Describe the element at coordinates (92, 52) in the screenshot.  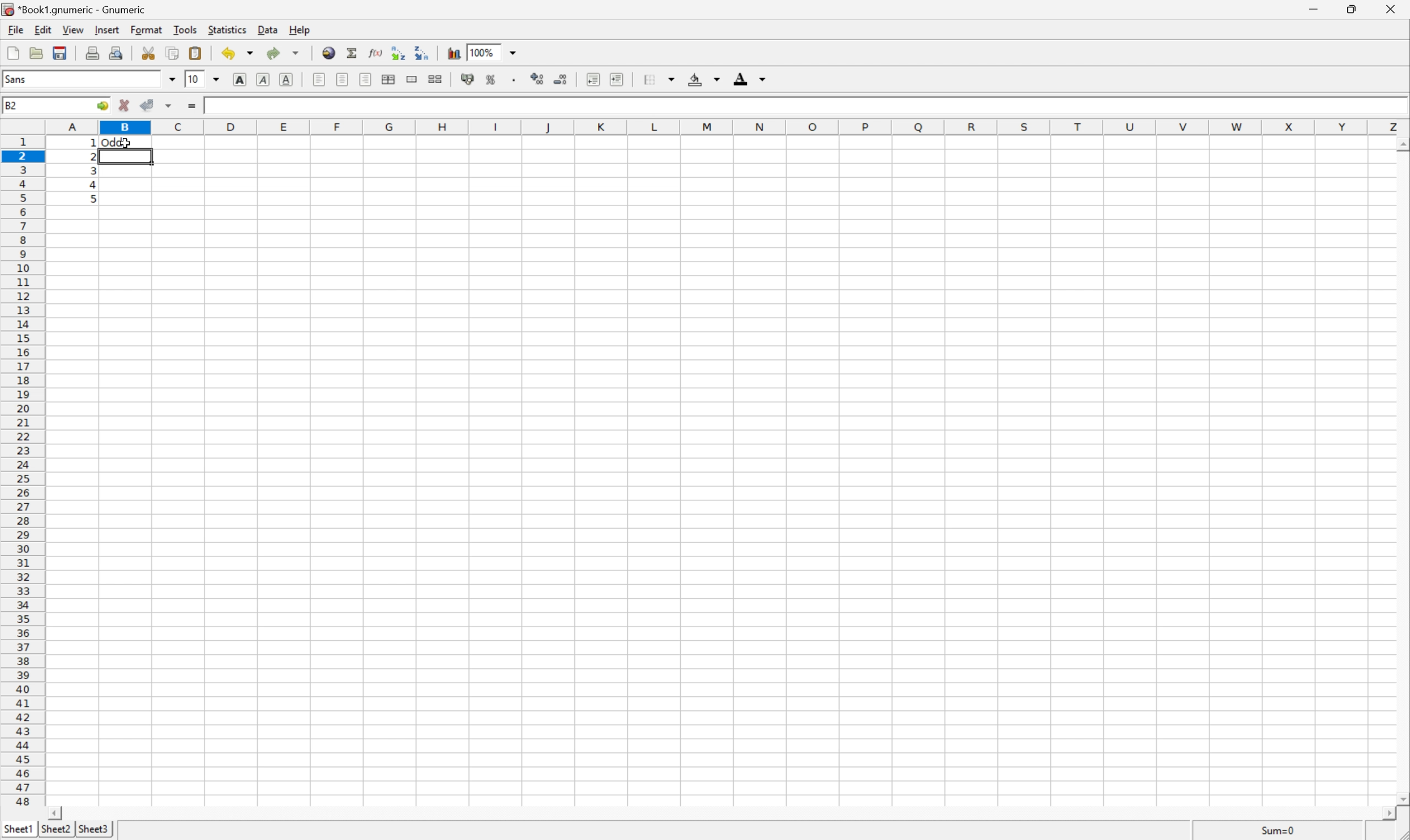
I see `Print current file` at that location.